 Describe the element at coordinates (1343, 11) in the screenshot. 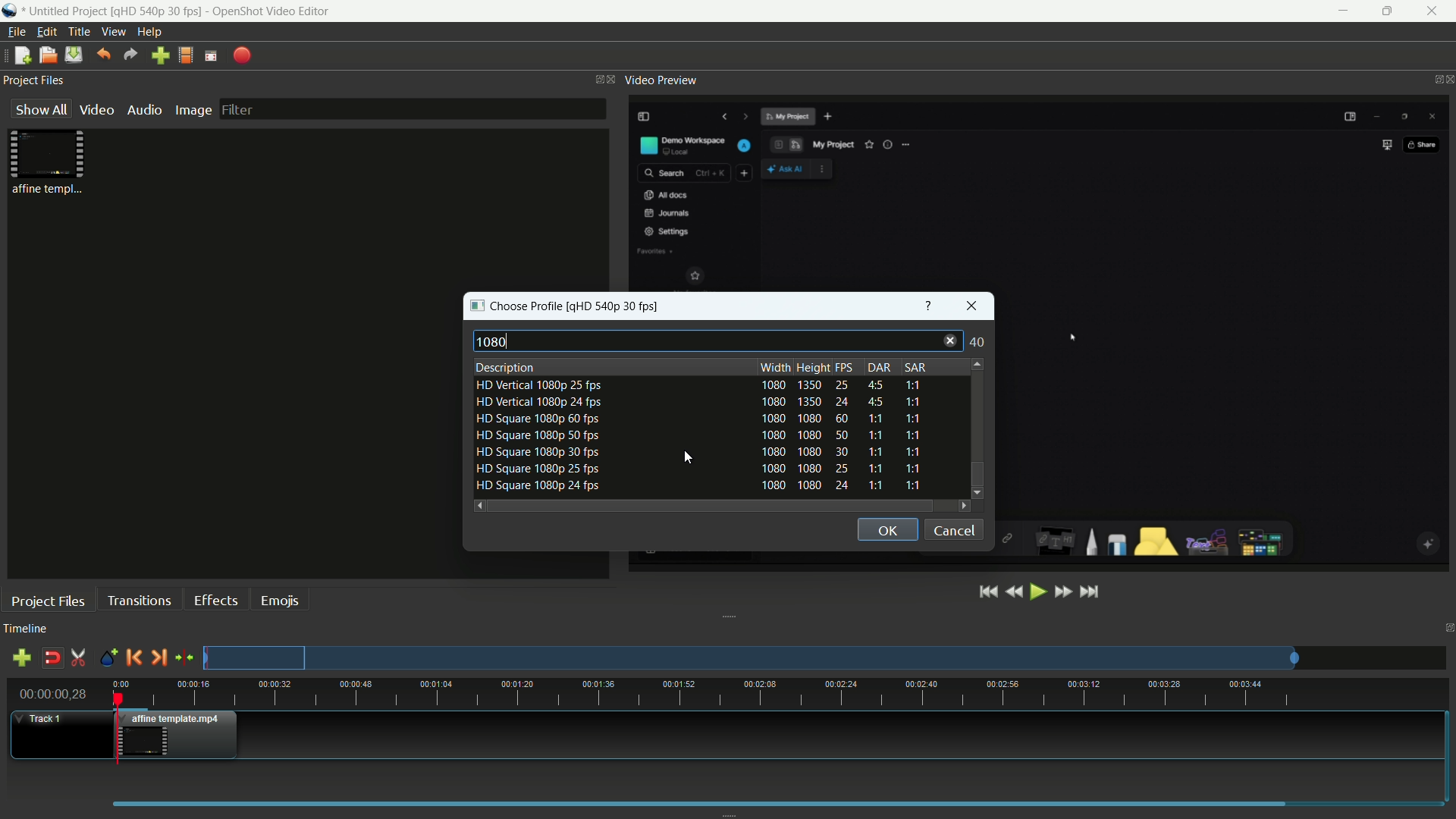

I see `minimize` at that location.